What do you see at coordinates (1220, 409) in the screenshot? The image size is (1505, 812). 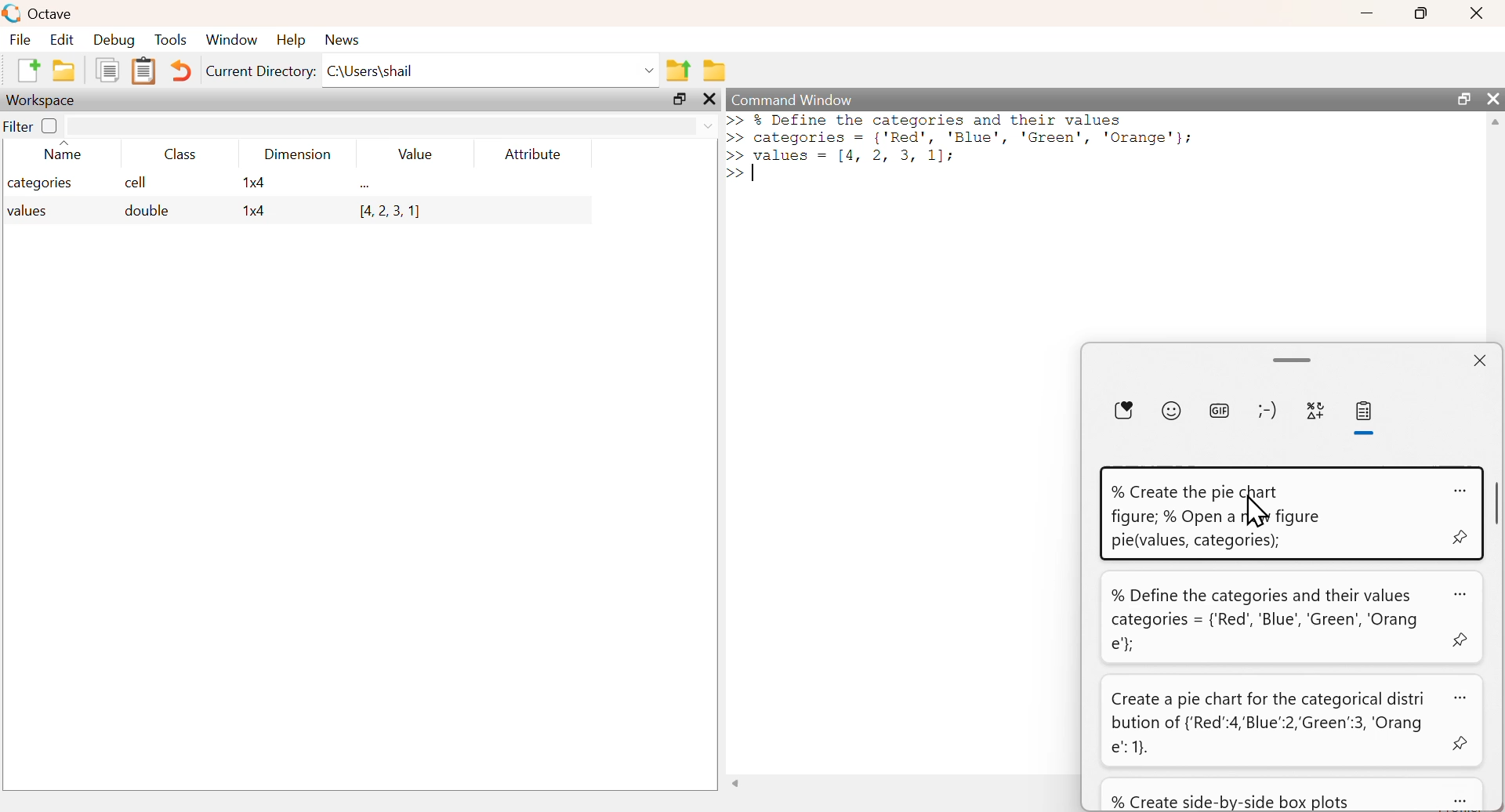 I see `GIF` at bounding box center [1220, 409].